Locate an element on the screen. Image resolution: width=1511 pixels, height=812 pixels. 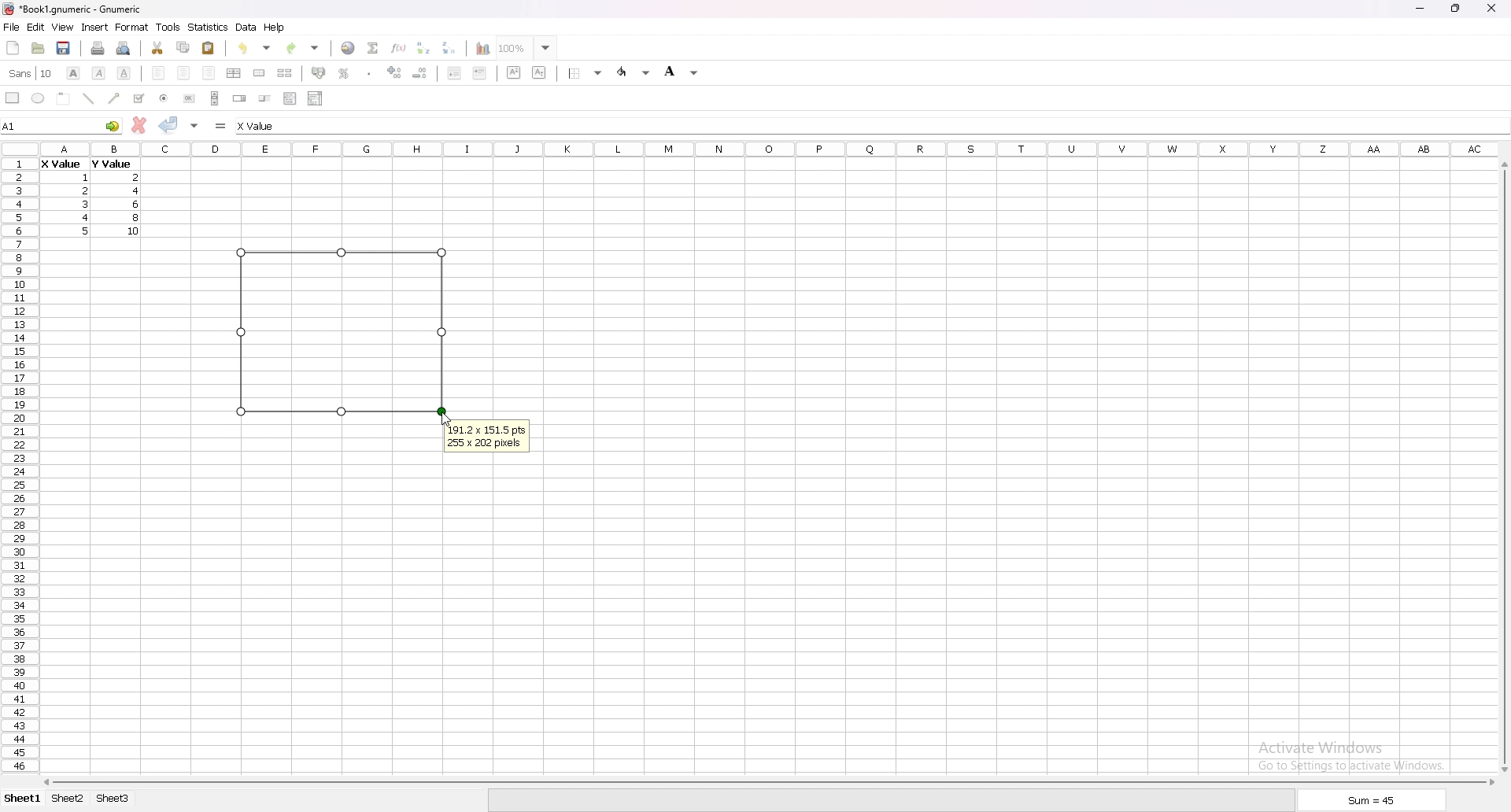
value is located at coordinates (87, 217).